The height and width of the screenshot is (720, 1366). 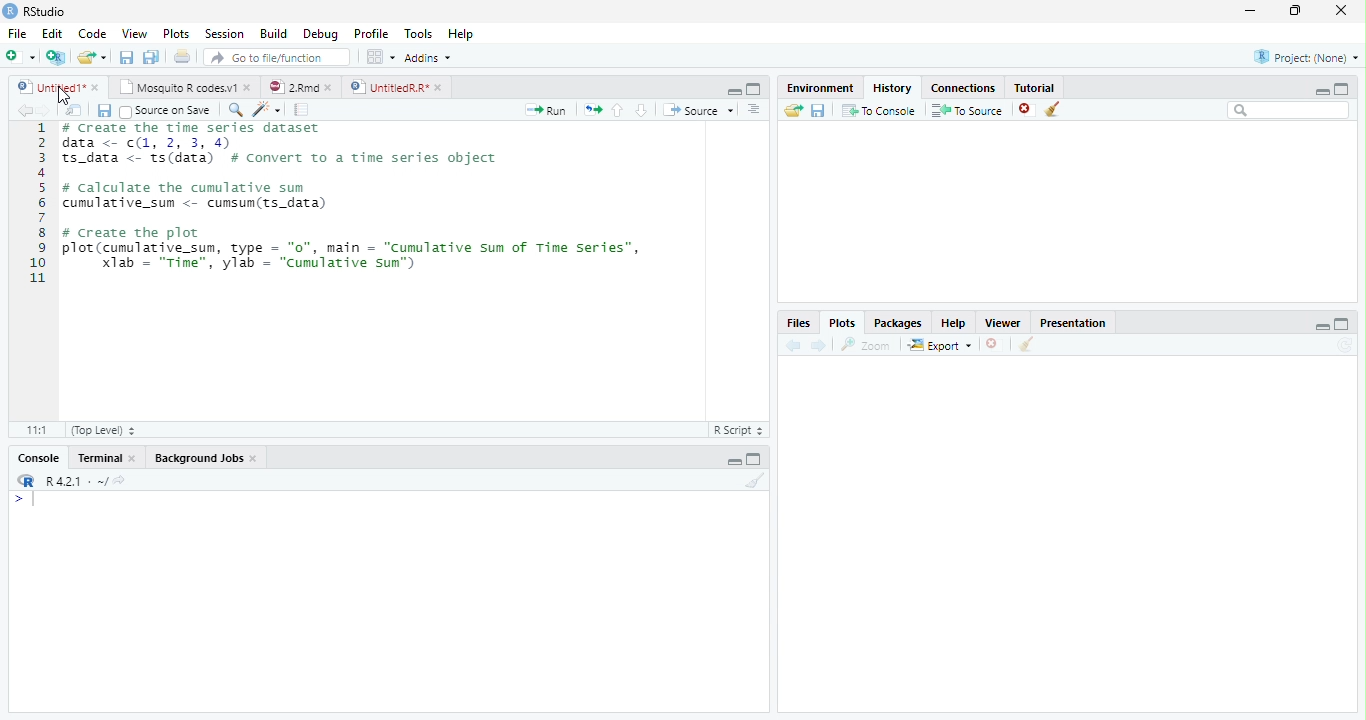 What do you see at coordinates (324, 35) in the screenshot?
I see `Debug` at bounding box center [324, 35].